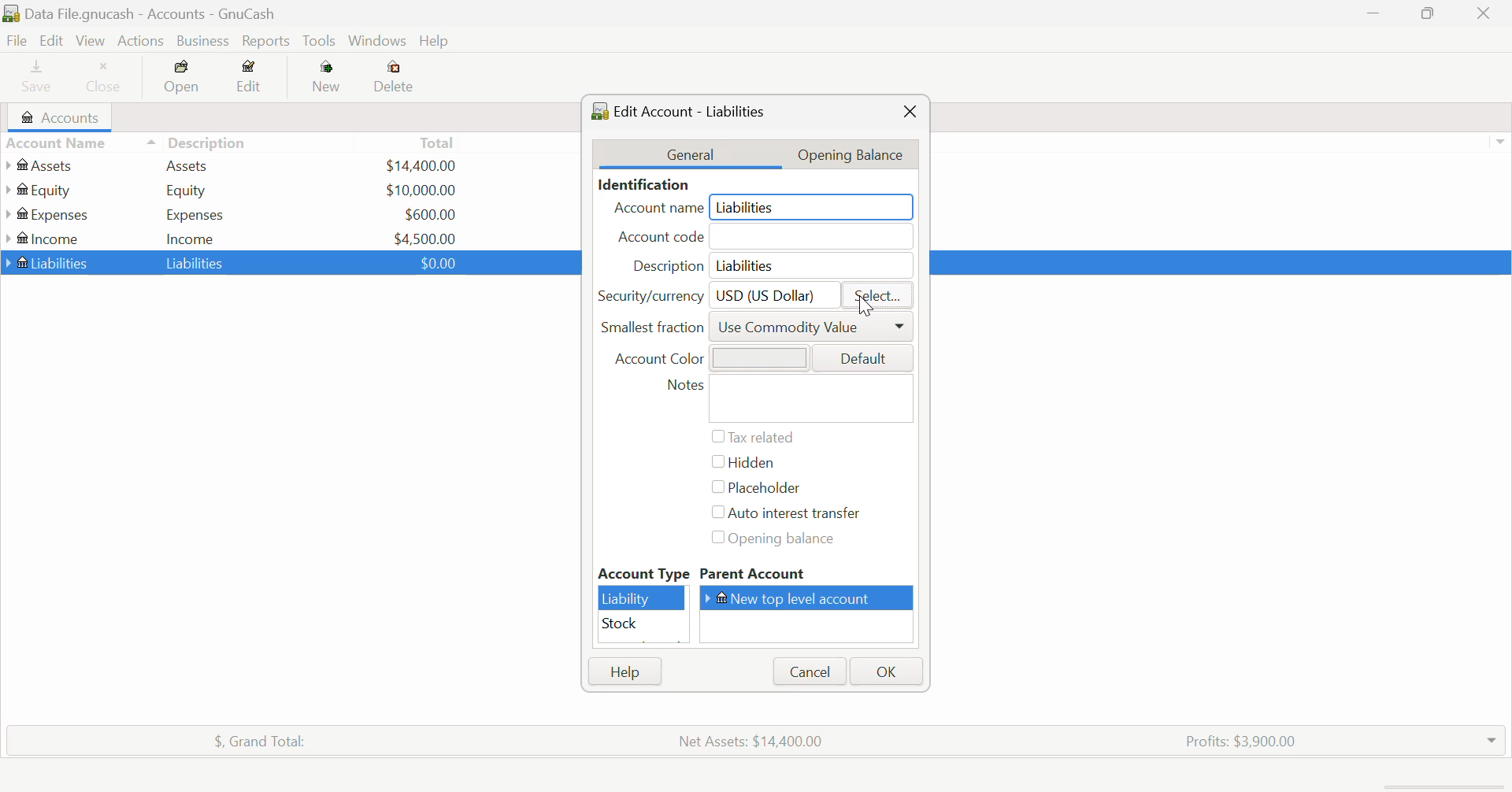  Describe the element at coordinates (203, 41) in the screenshot. I see `Business` at that location.